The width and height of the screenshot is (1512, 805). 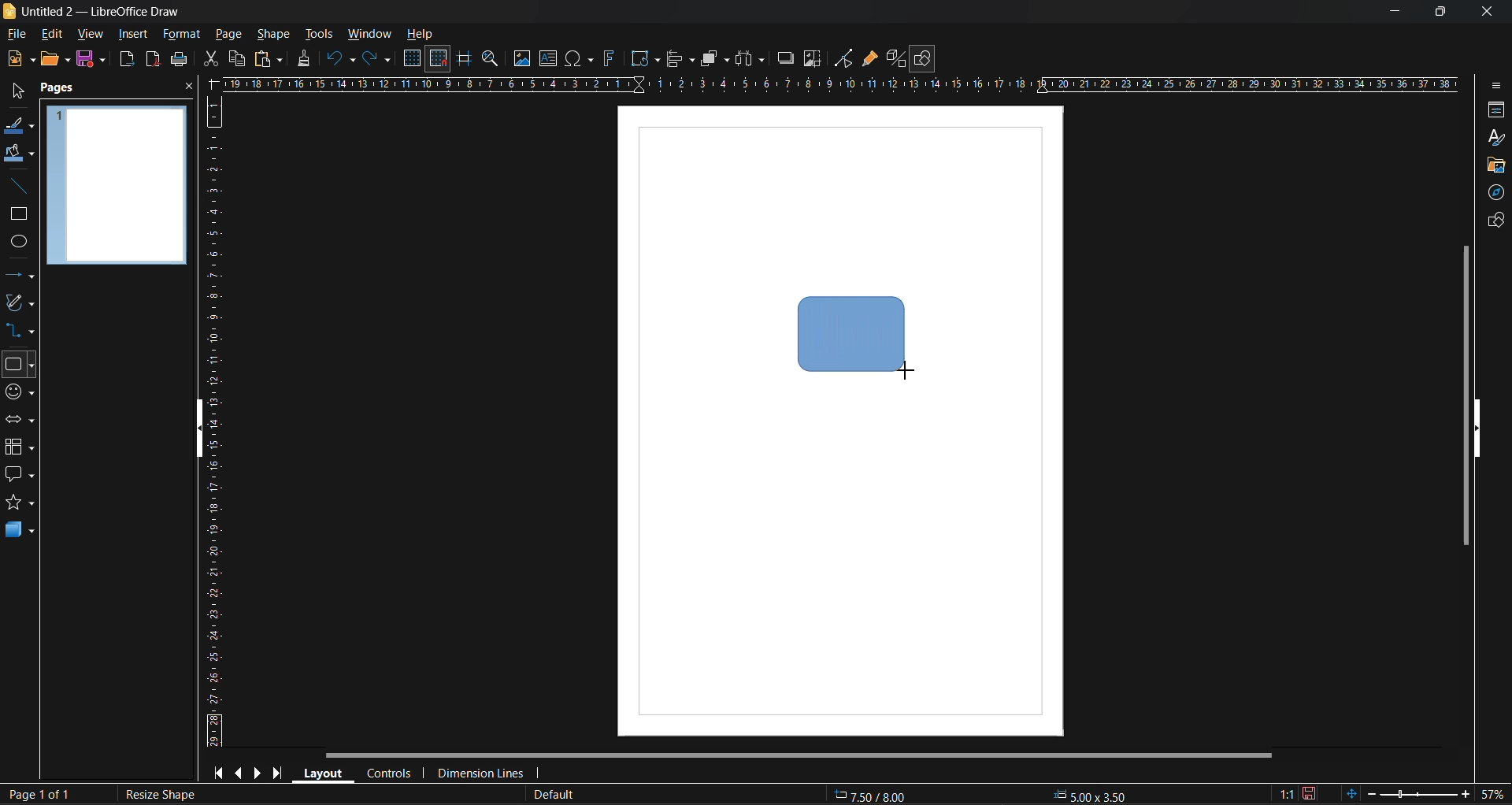 What do you see at coordinates (1477, 429) in the screenshot?
I see `hide` at bounding box center [1477, 429].